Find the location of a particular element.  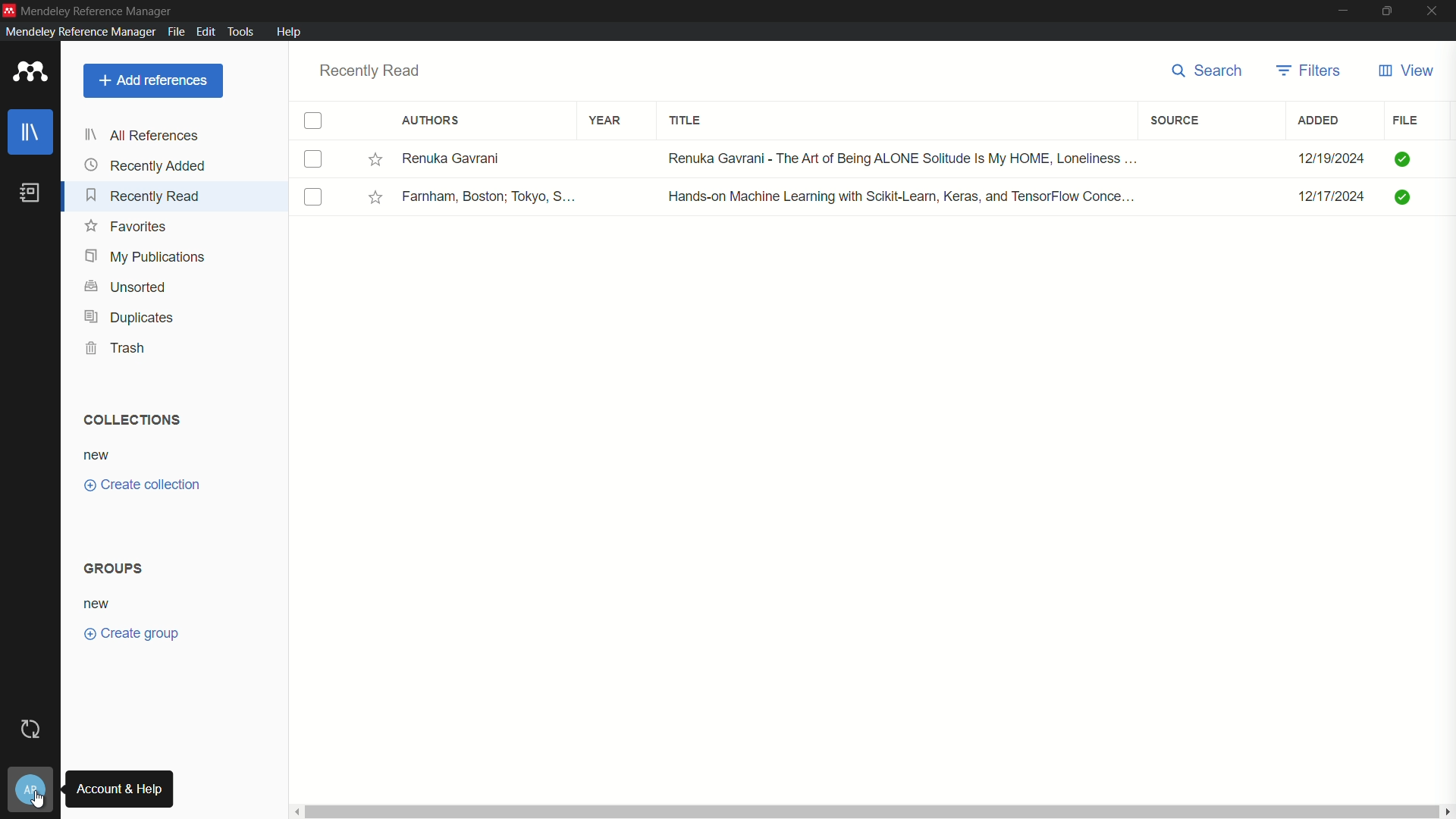

Toggle favorites is located at coordinates (375, 198).